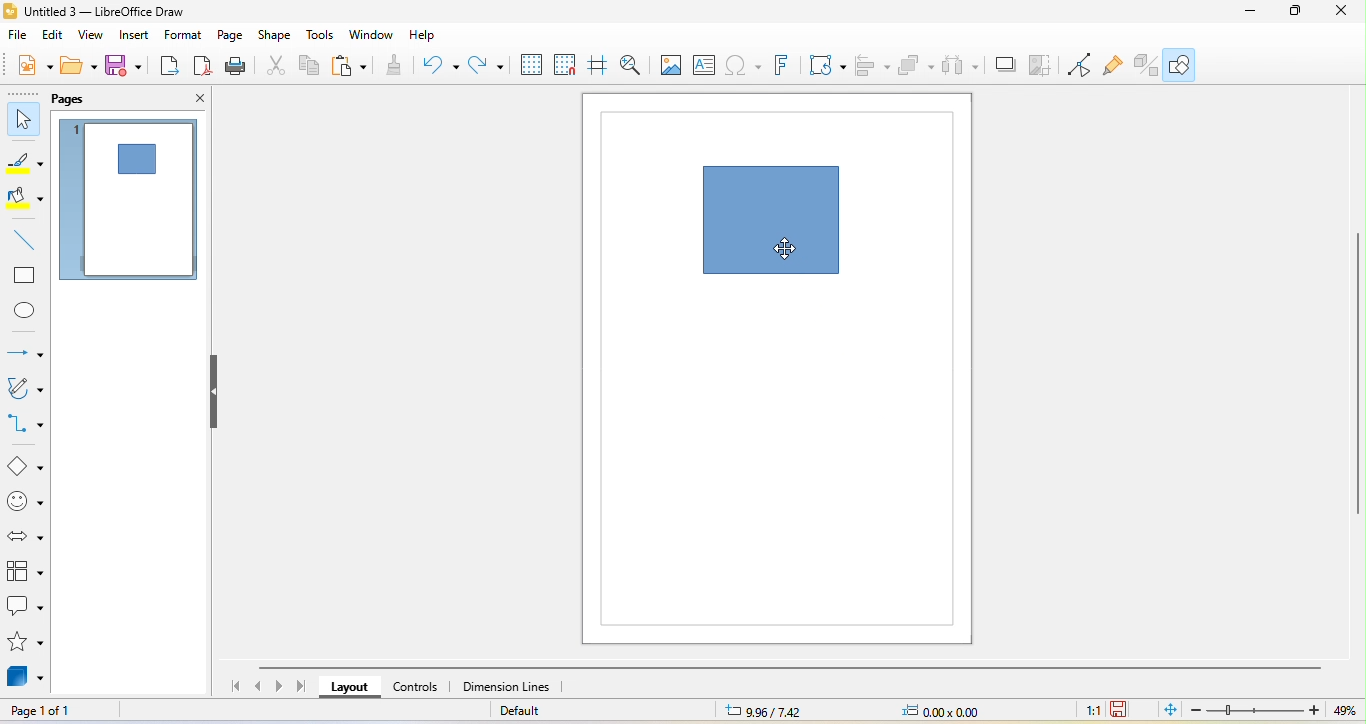 This screenshot has width=1366, height=724. Describe the element at coordinates (828, 66) in the screenshot. I see `transformation` at that location.